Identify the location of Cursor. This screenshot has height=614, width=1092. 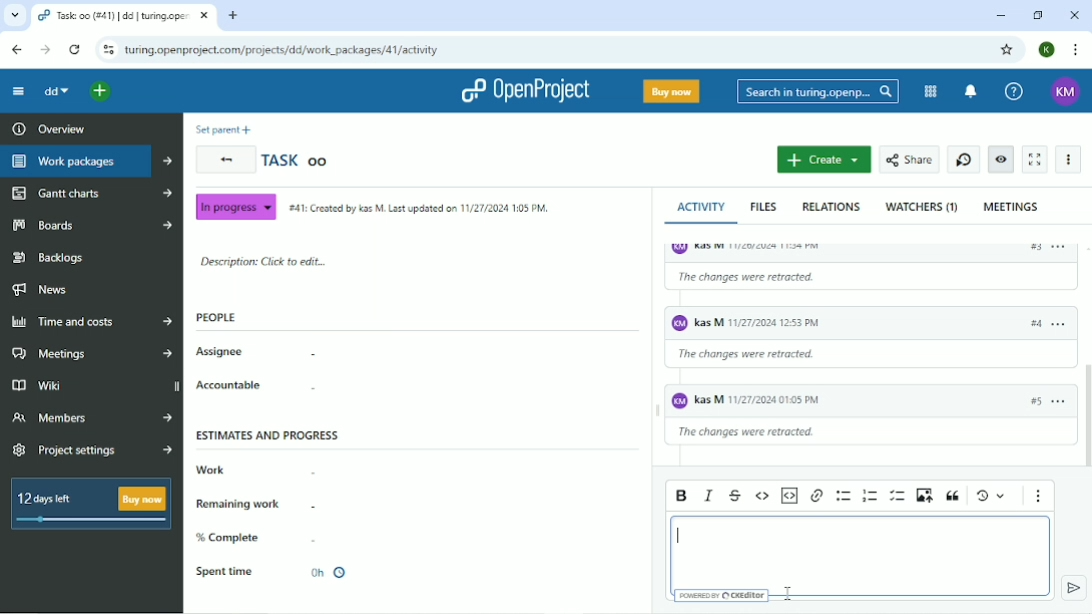
(676, 534).